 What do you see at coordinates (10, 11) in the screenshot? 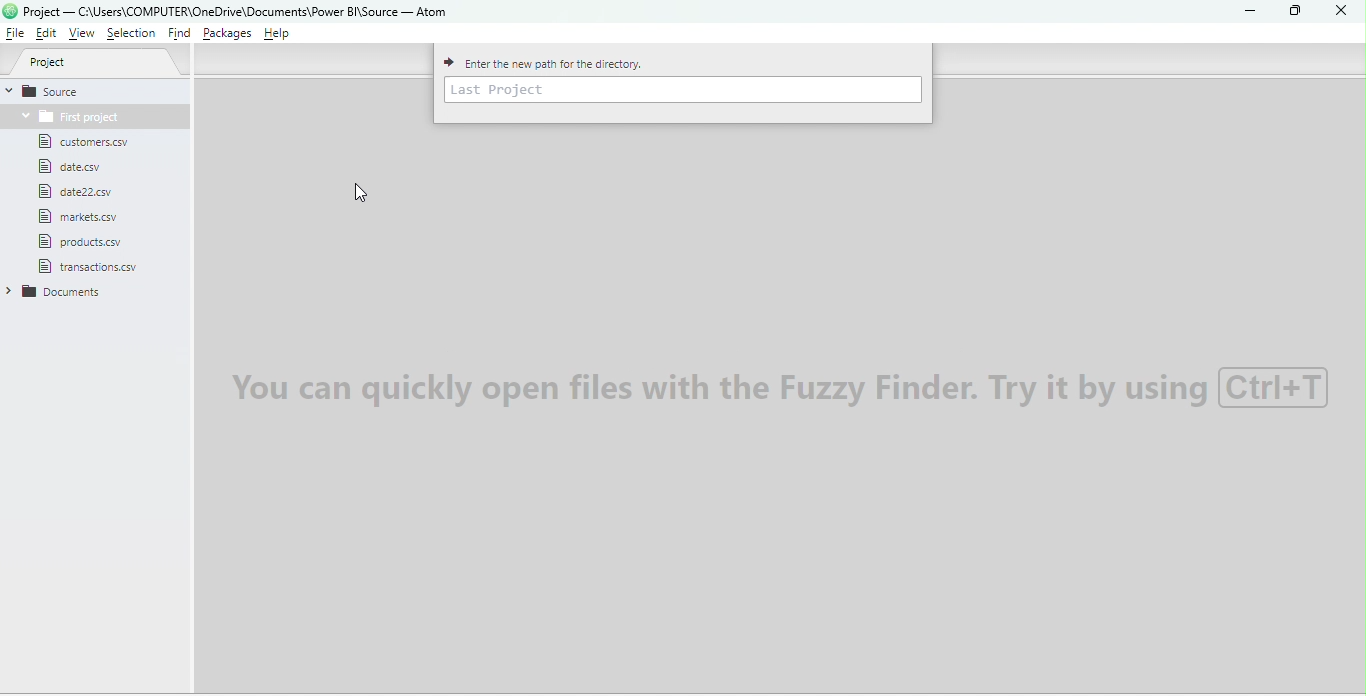
I see `logo ` at bounding box center [10, 11].